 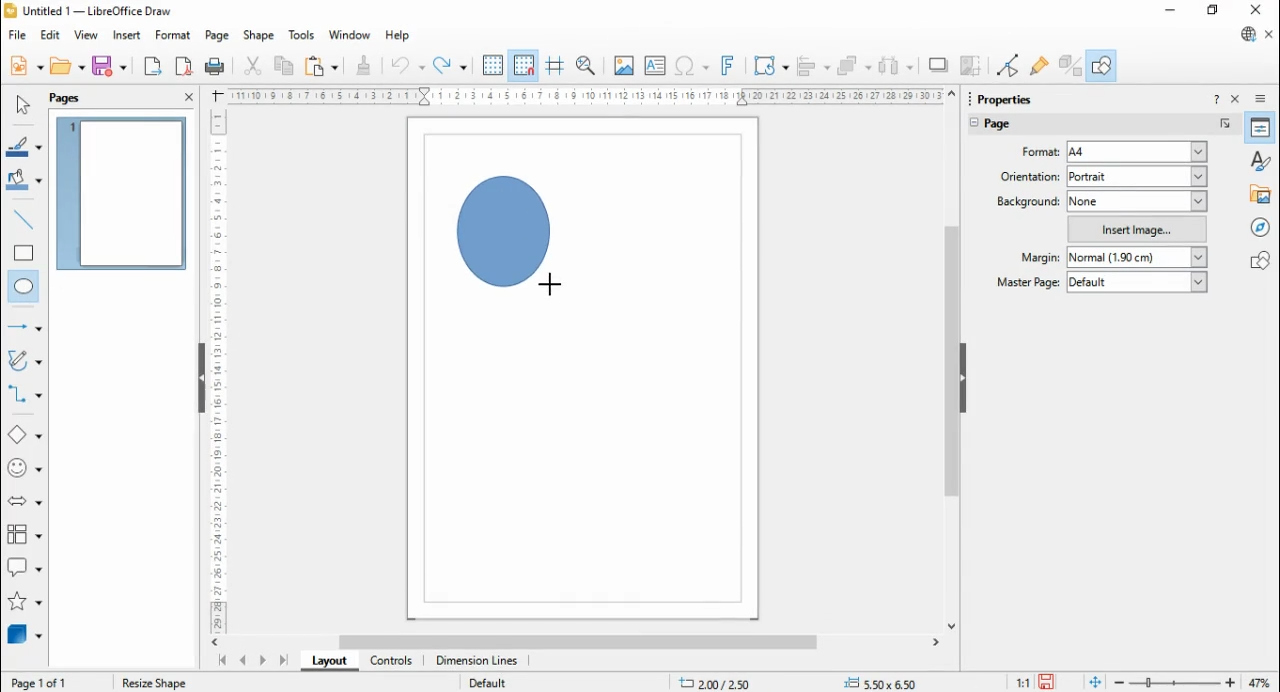 I want to click on Cursor, so click(x=552, y=285).